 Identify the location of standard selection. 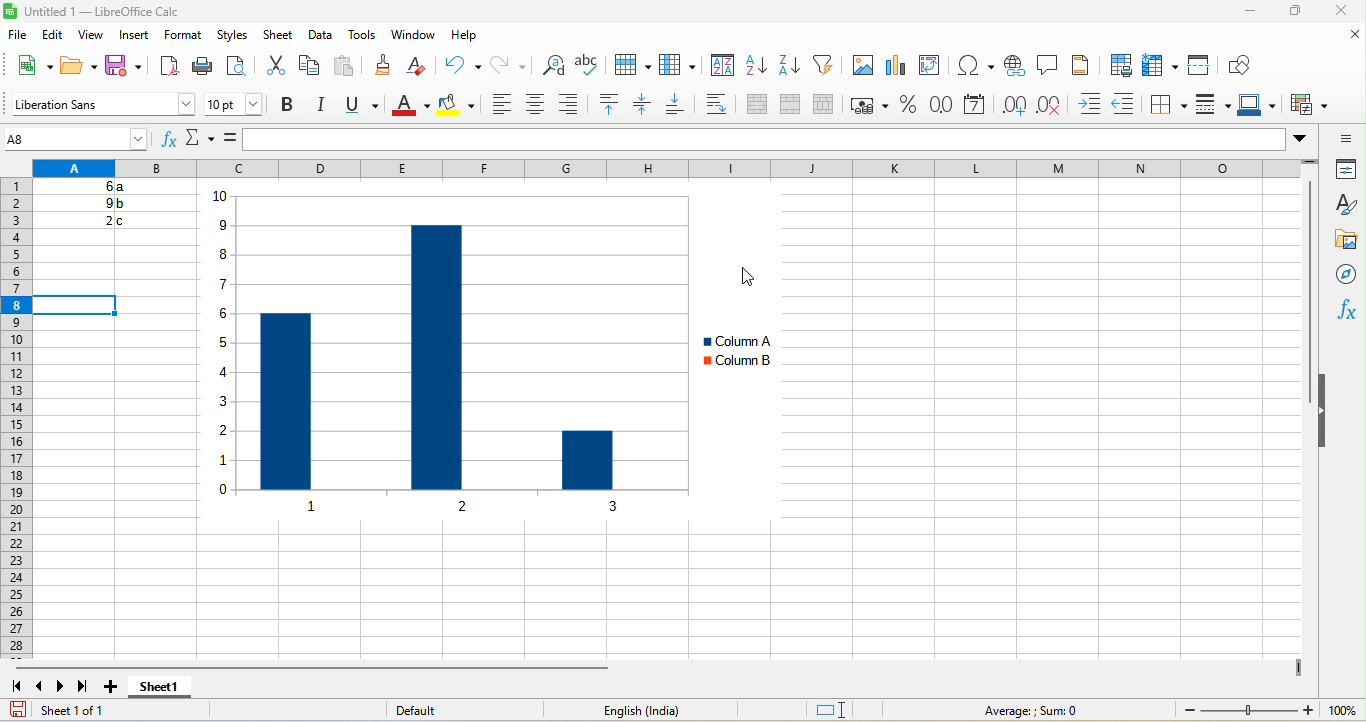
(838, 711).